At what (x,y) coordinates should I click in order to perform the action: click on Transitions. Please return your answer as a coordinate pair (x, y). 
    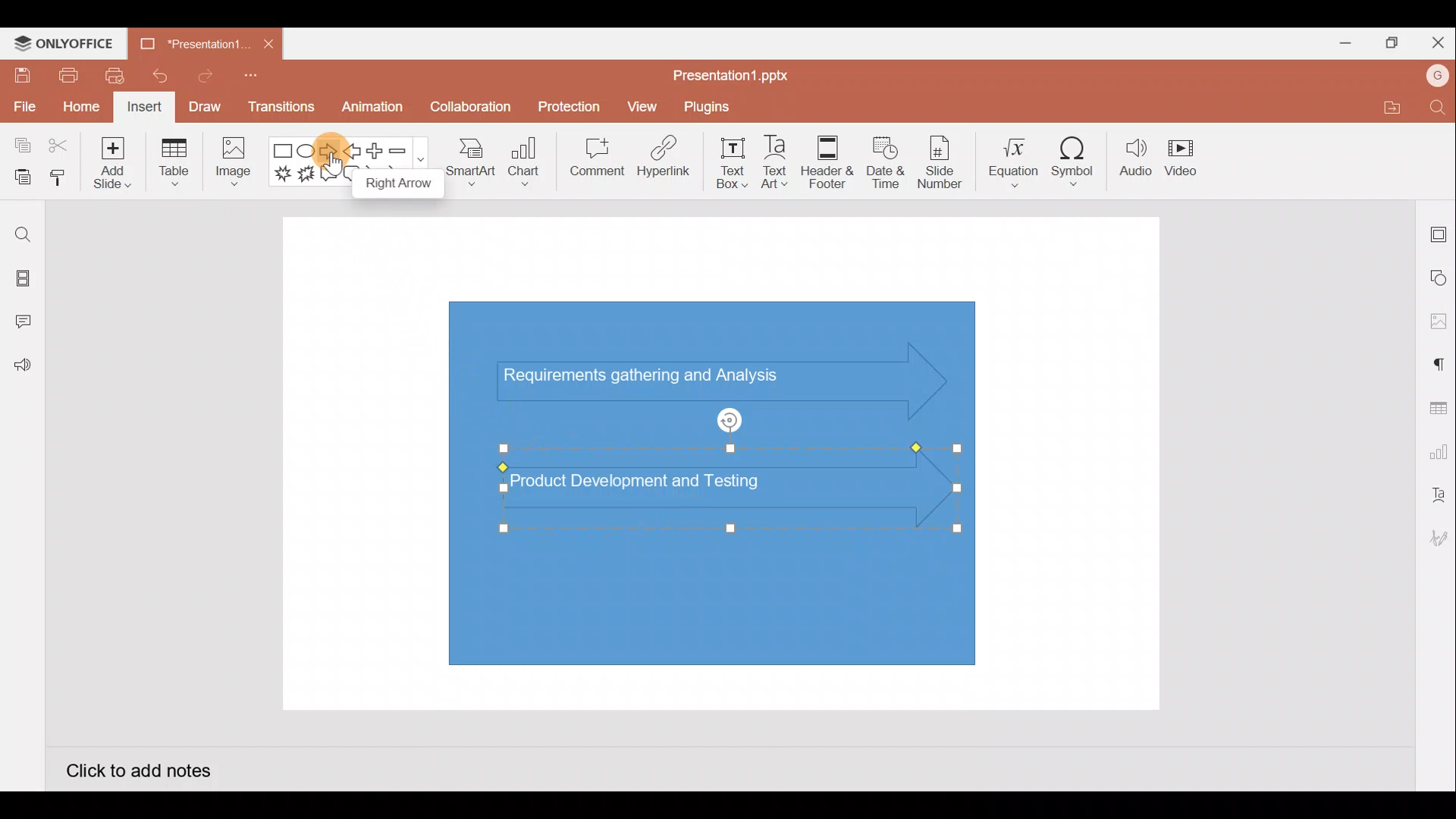
    Looking at the image, I should click on (282, 111).